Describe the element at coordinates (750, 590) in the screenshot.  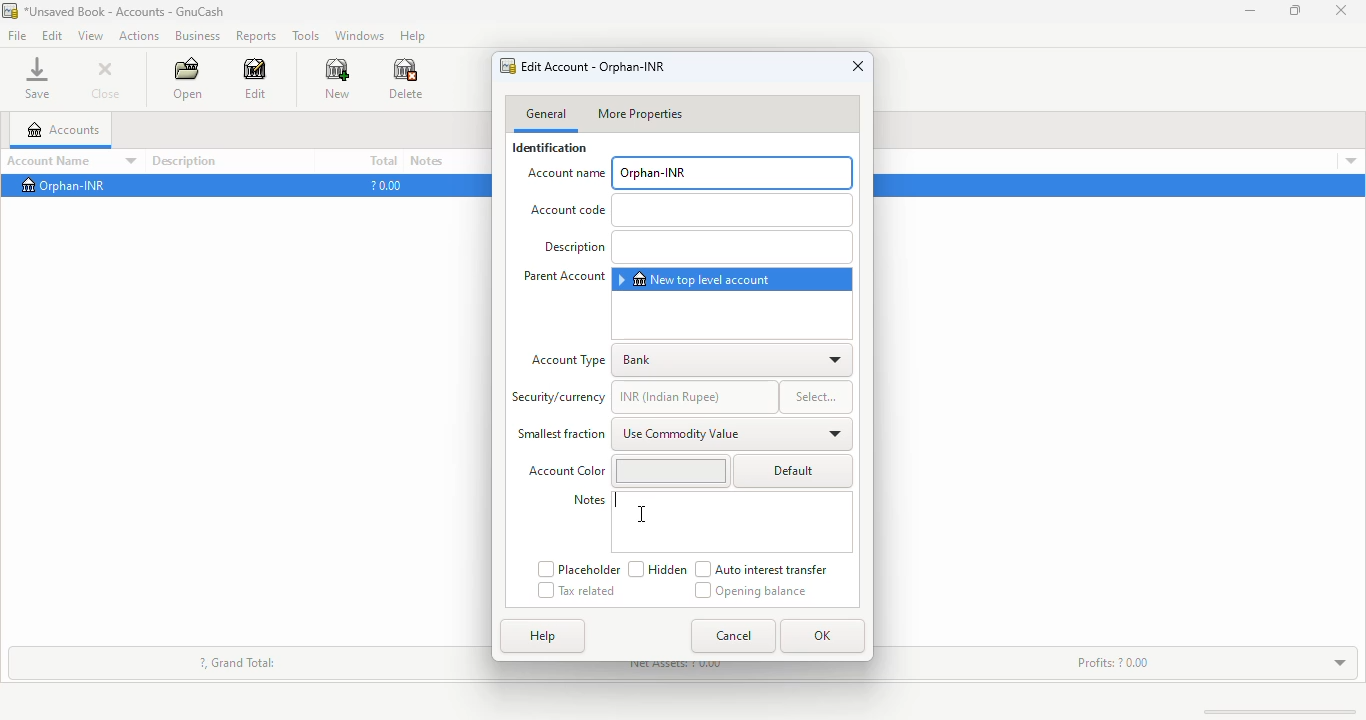
I see `opening balance` at that location.